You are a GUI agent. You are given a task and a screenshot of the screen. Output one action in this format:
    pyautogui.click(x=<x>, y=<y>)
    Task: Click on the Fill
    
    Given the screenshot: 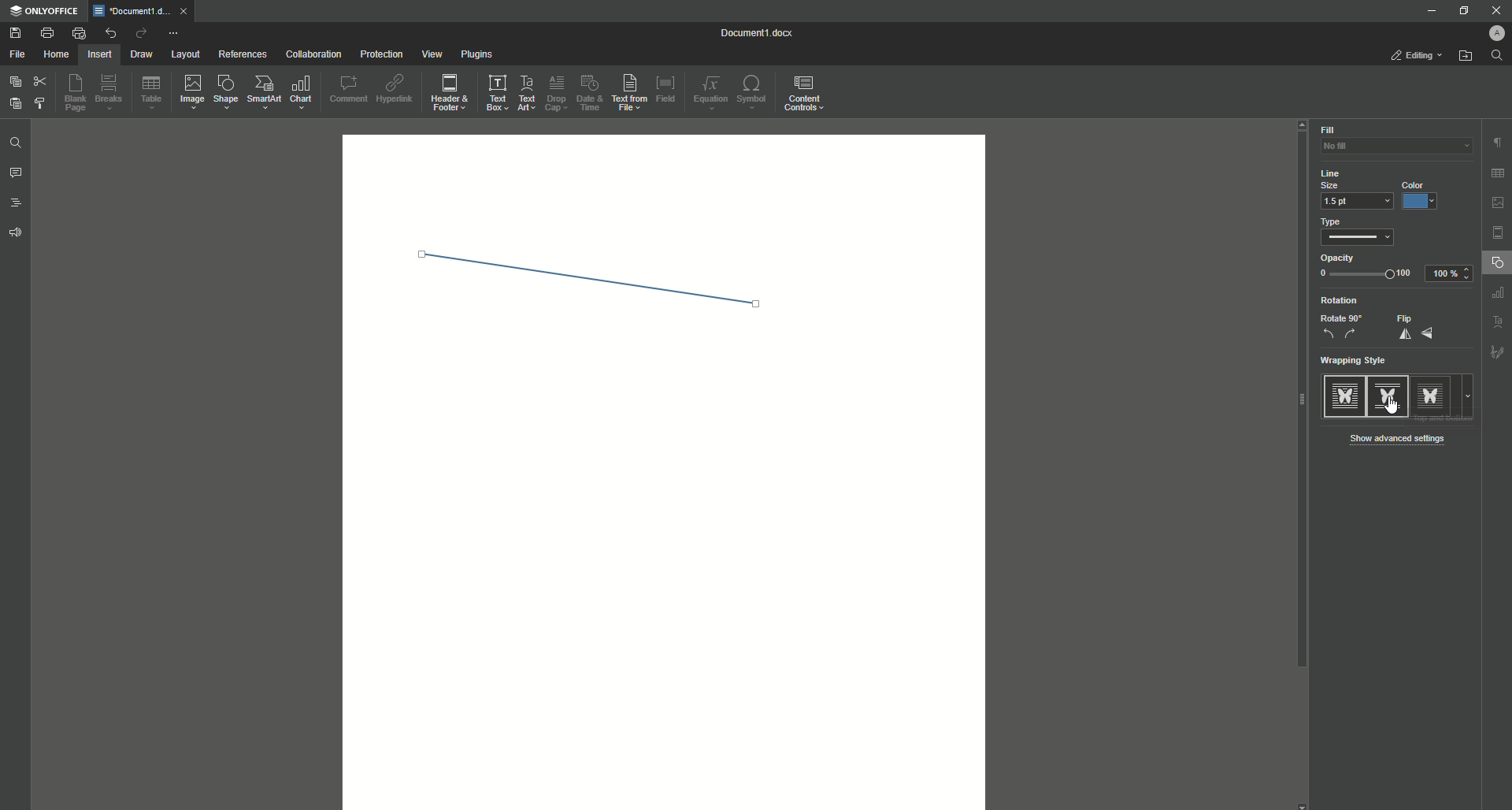 What is the action you would take?
    pyautogui.click(x=1328, y=130)
    